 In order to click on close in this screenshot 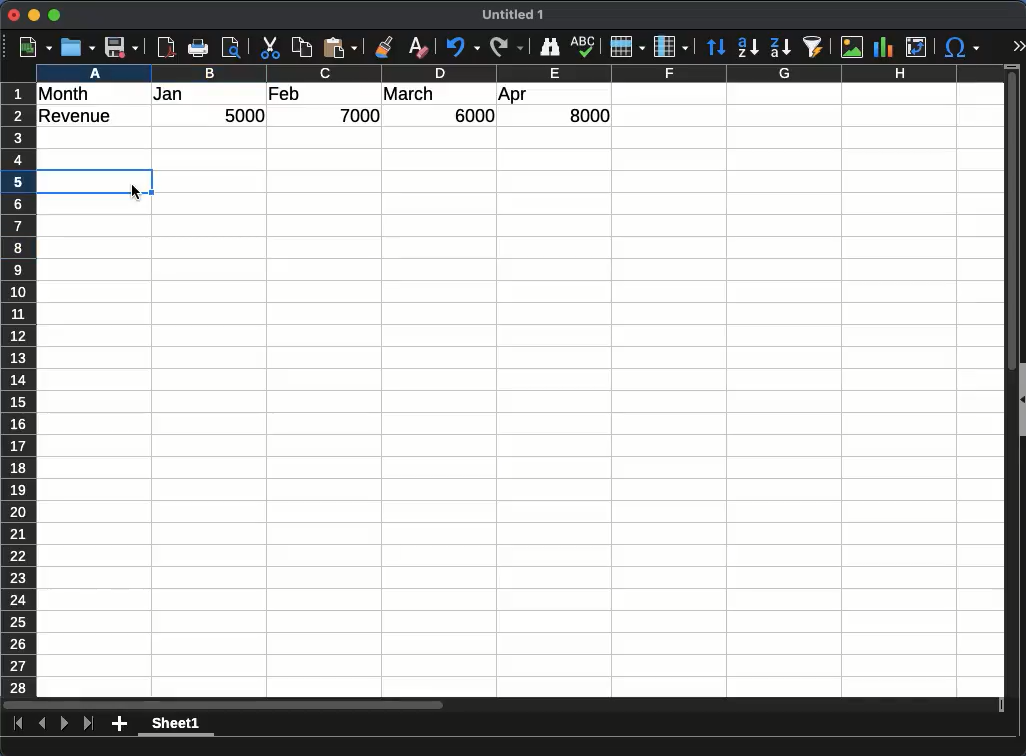, I will do `click(14, 15)`.